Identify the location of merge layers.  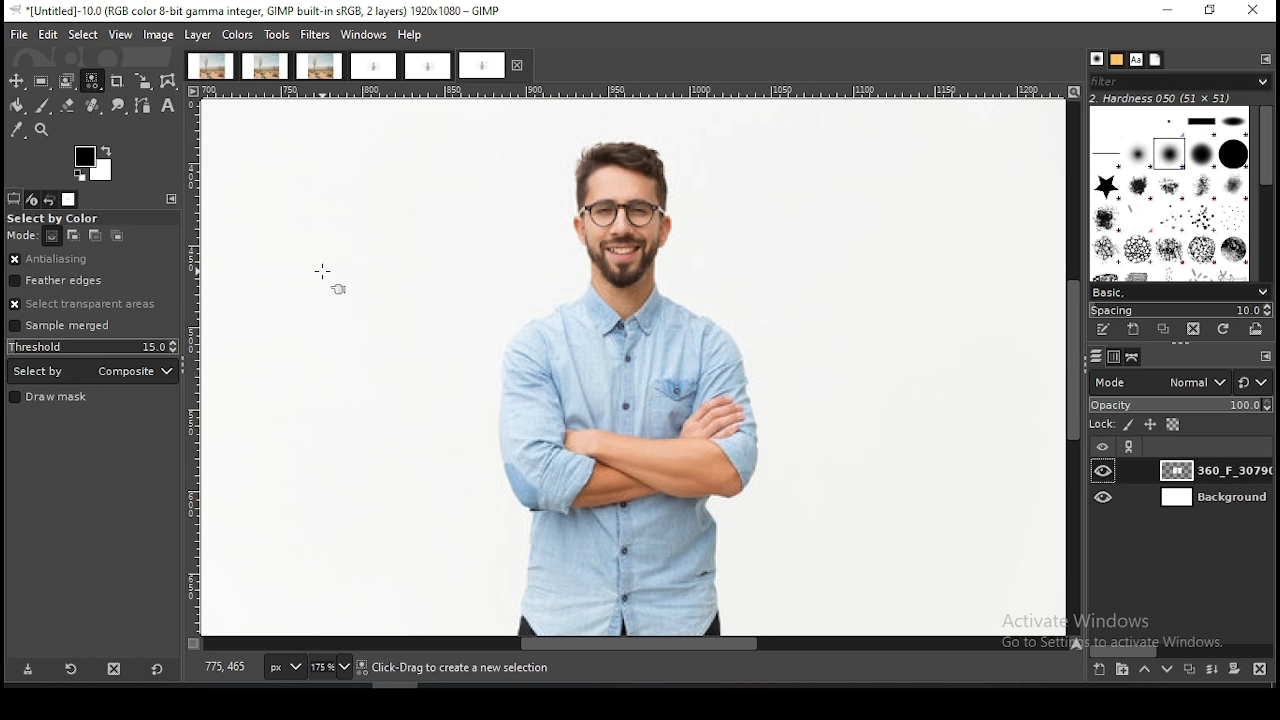
(1212, 668).